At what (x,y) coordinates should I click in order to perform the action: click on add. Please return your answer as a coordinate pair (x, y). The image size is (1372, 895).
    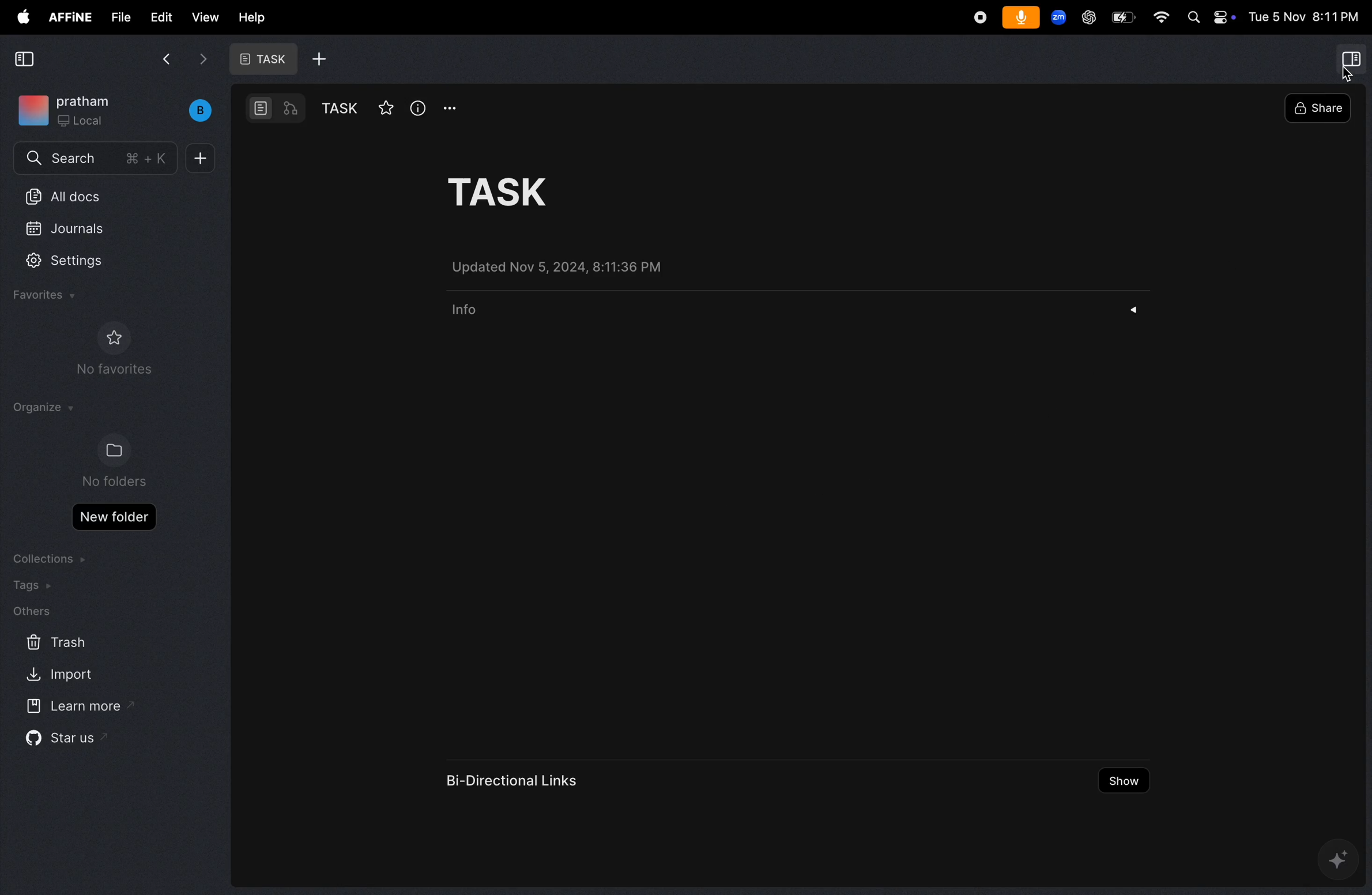
    Looking at the image, I should click on (319, 59).